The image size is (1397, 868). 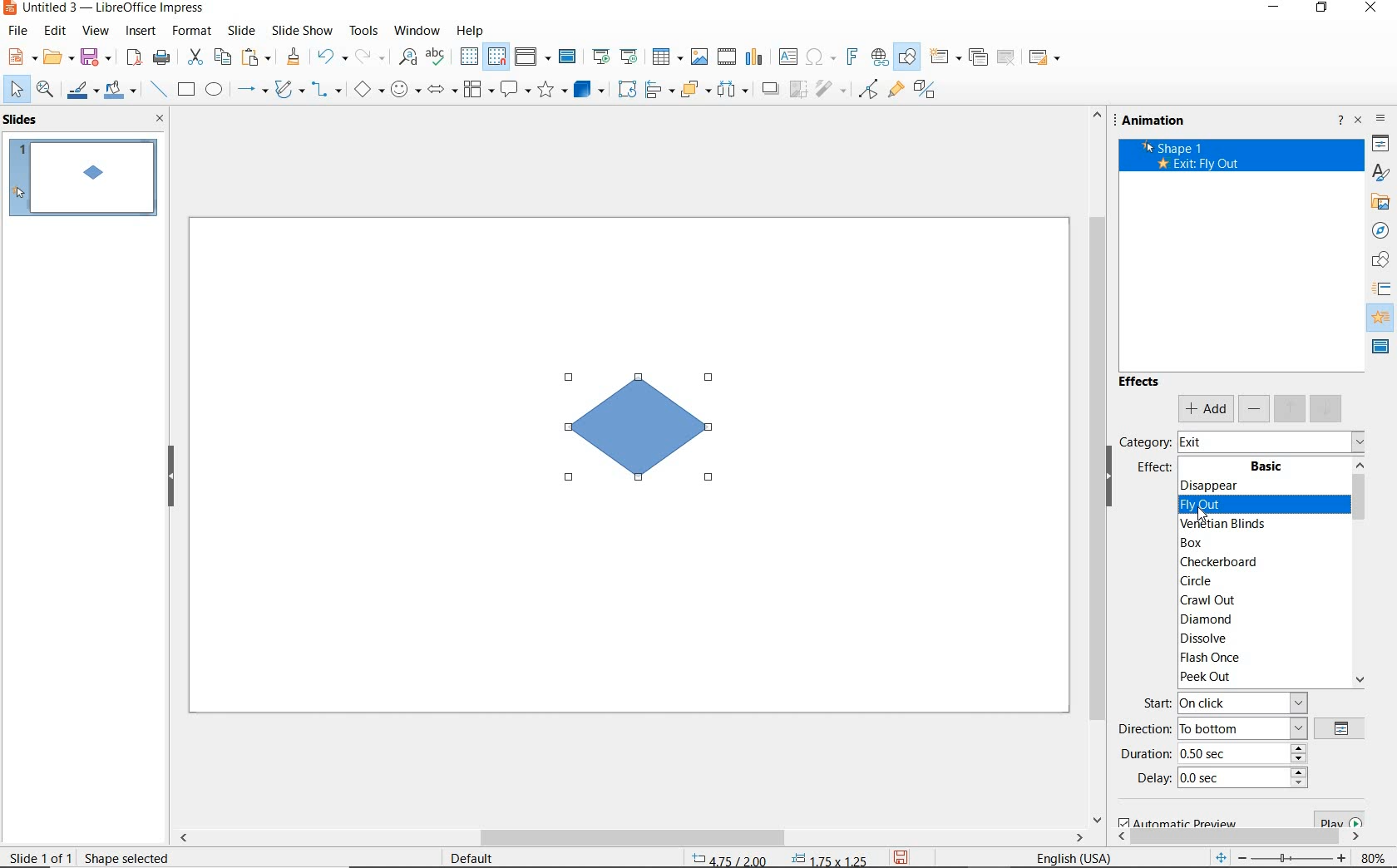 What do you see at coordinates (406, 89) in the screenshot?
I see `symbol shapes` at bounding box center [406, 89].